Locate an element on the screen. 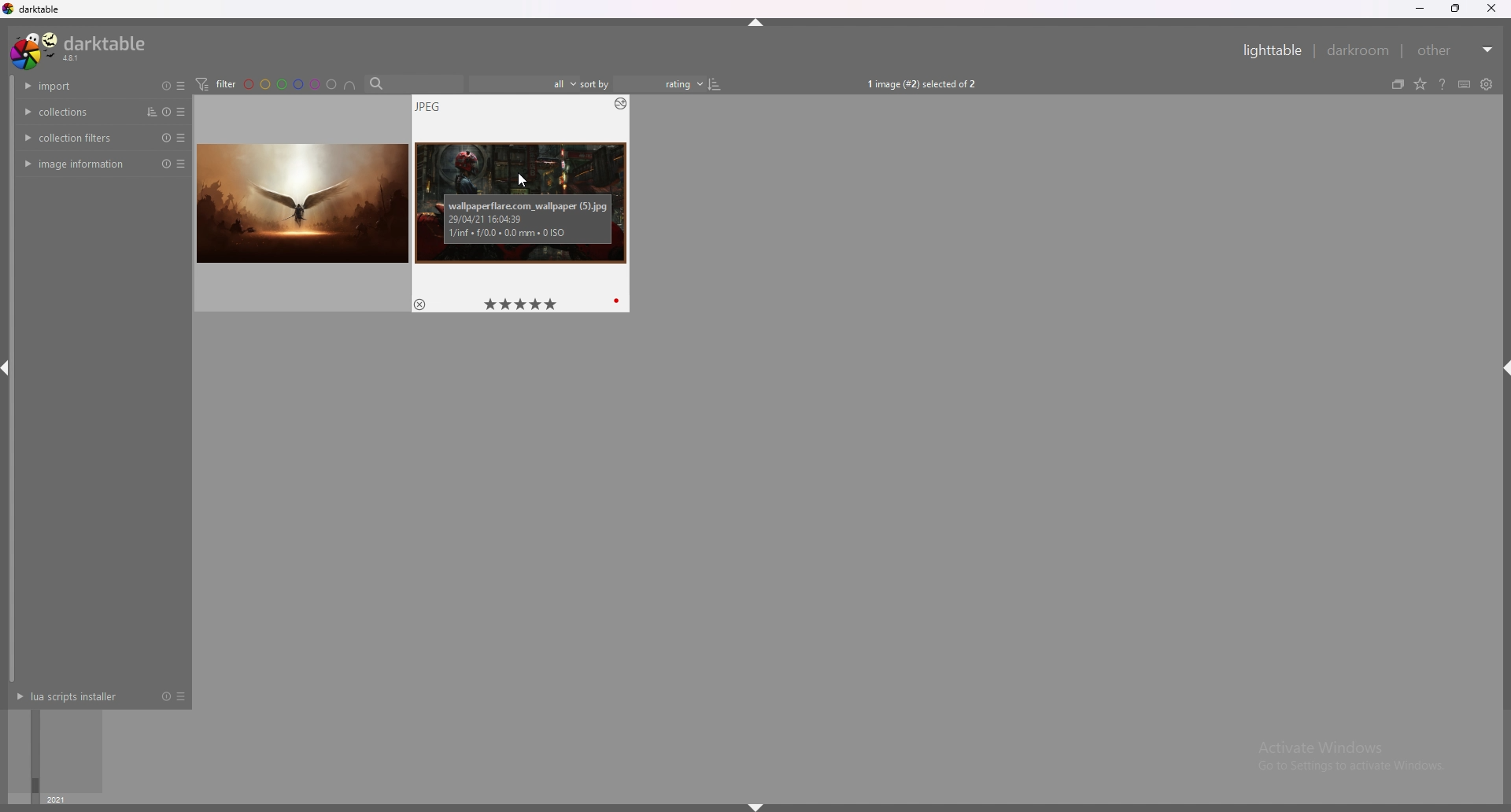  hide is located at coordinates (753, 23).